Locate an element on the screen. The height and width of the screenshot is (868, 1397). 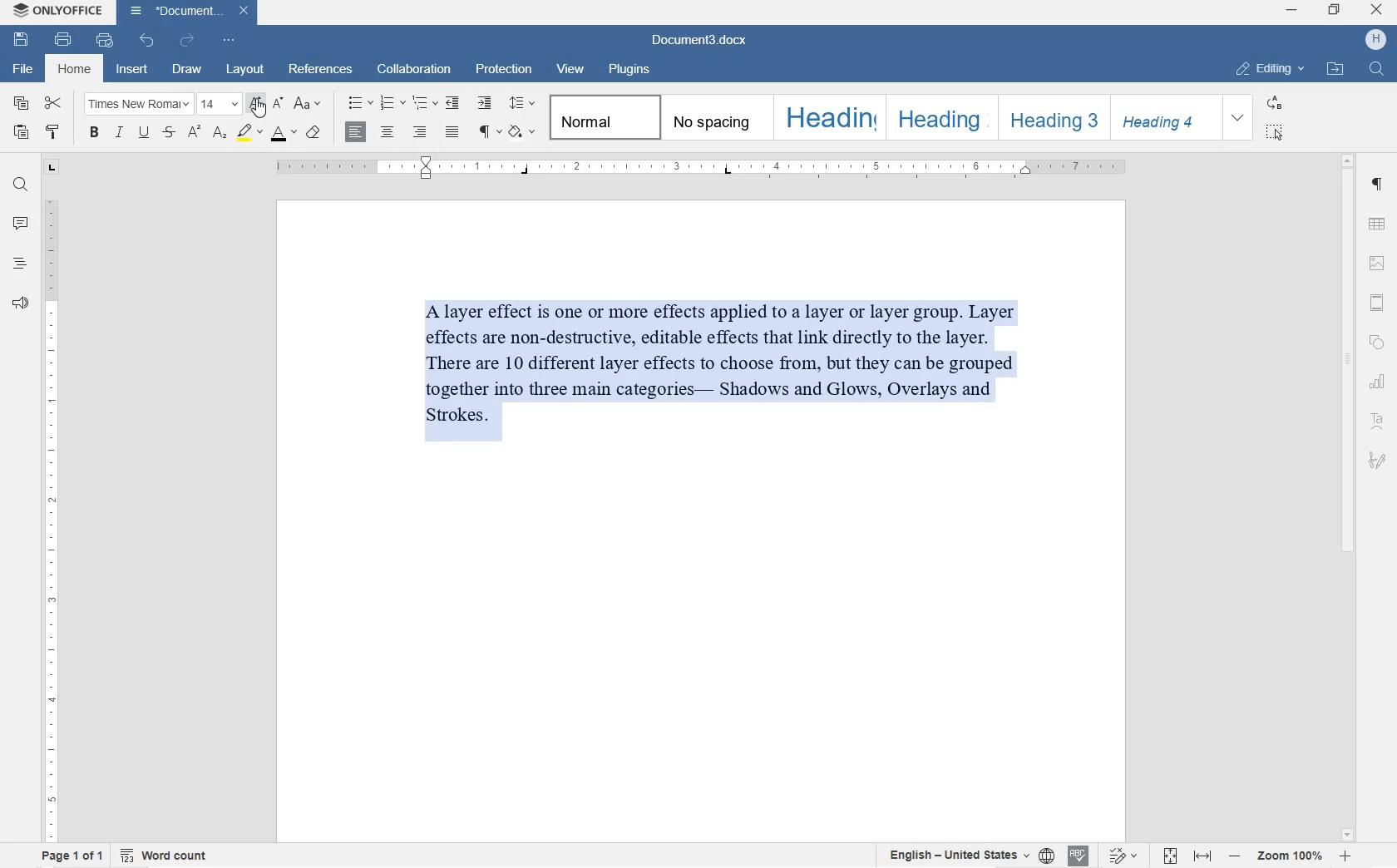
font name is located at coordinates (137, 103).